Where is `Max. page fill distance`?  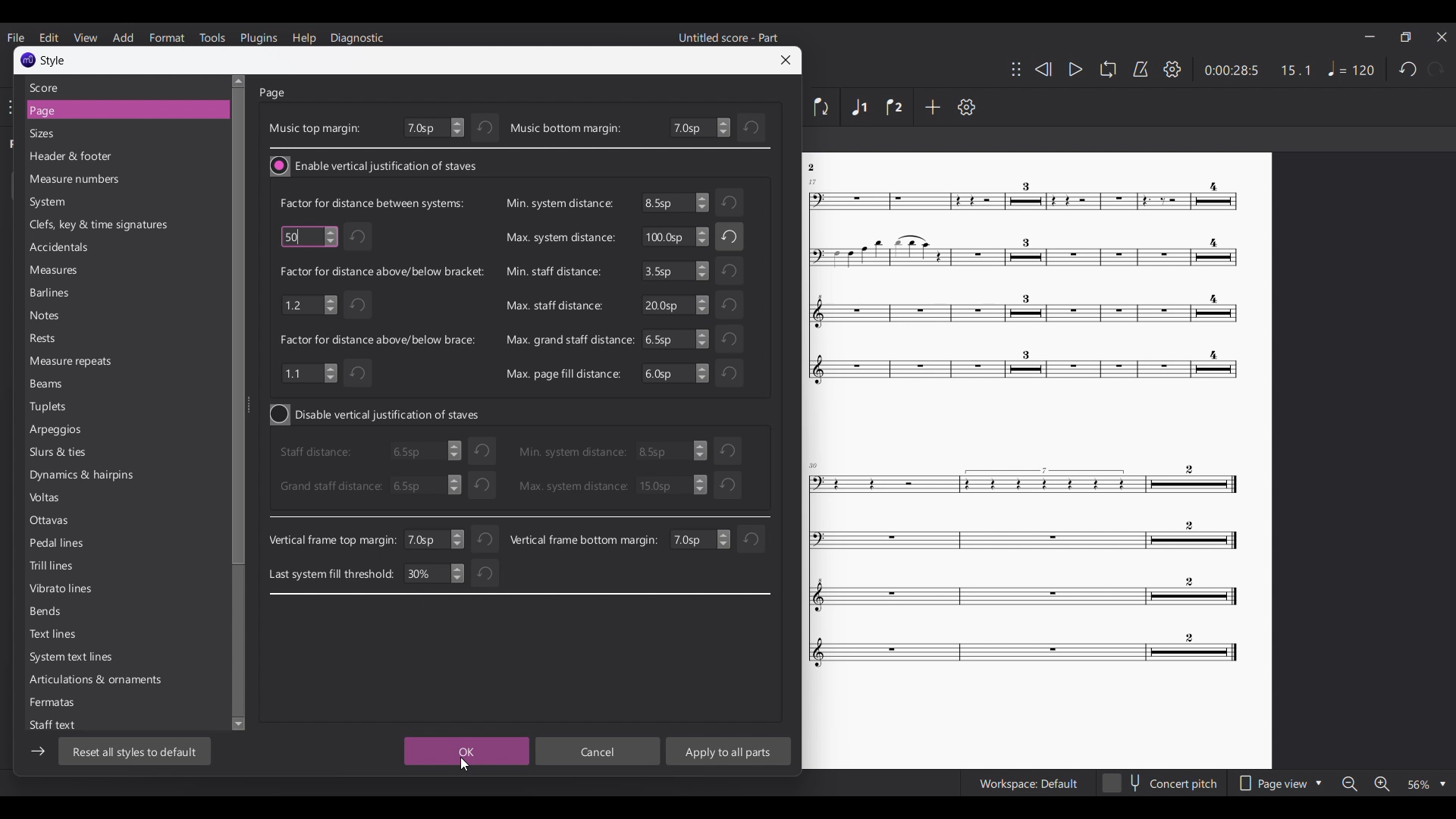
Max. page fill distance is located at coordinates (563, 373).